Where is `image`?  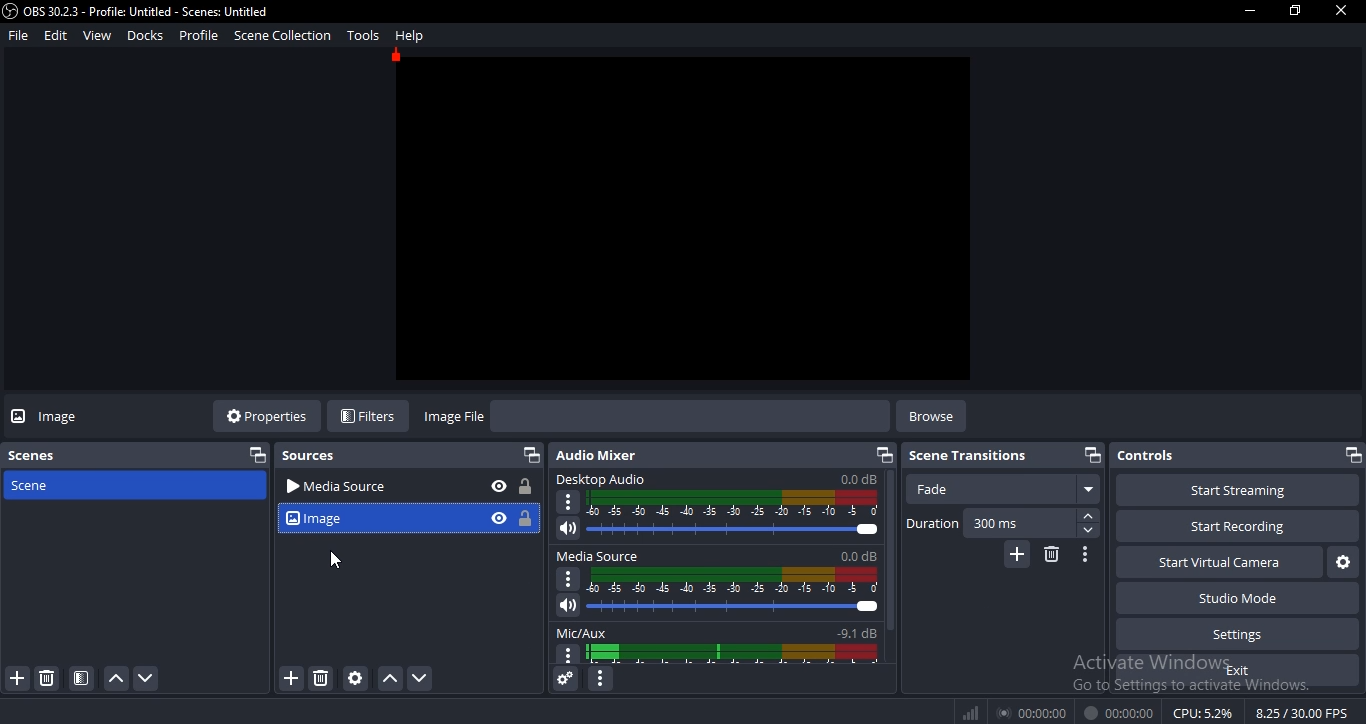 image is located at coordinates (684, 218).